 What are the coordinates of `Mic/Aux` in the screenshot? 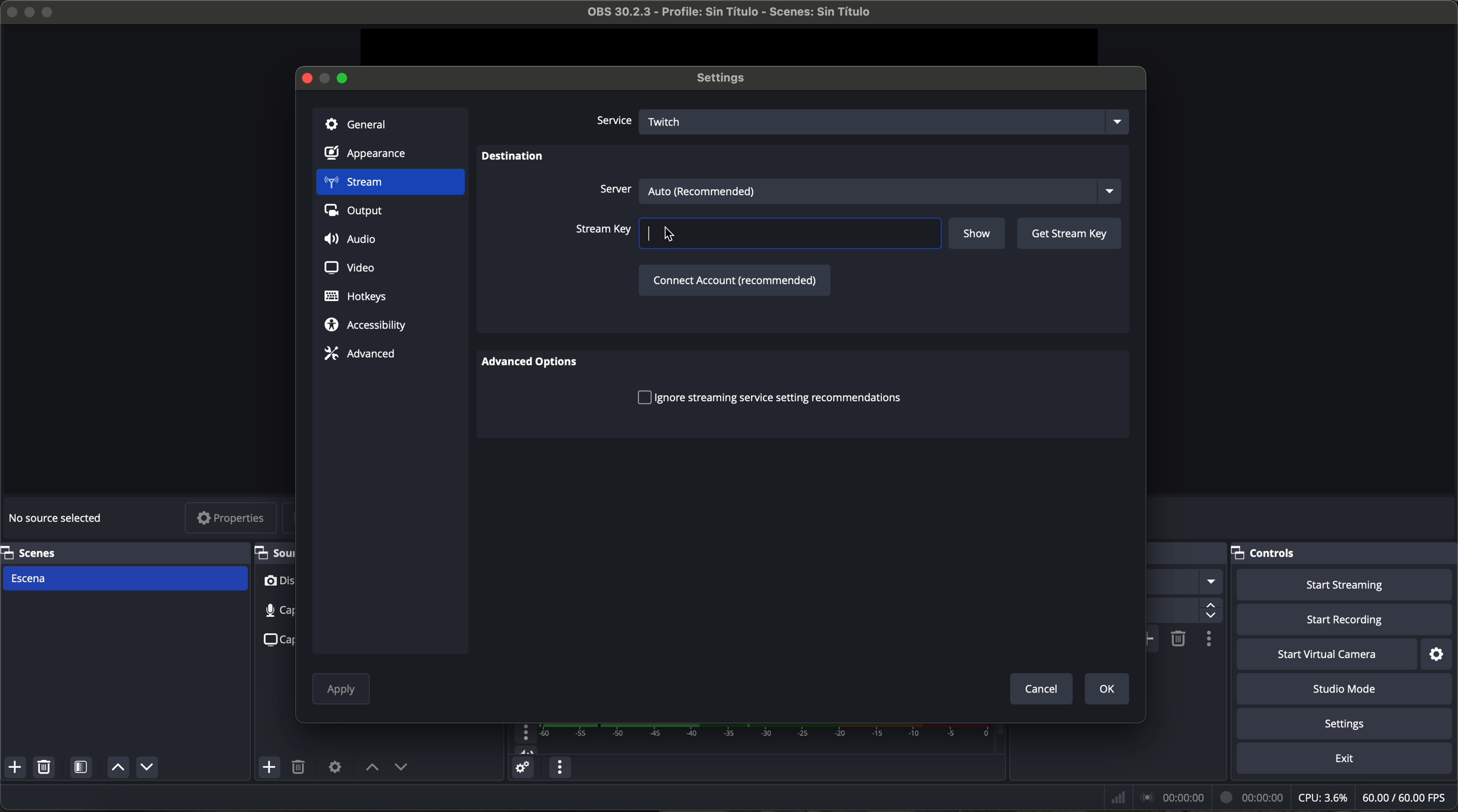 It's located at (748, 739).